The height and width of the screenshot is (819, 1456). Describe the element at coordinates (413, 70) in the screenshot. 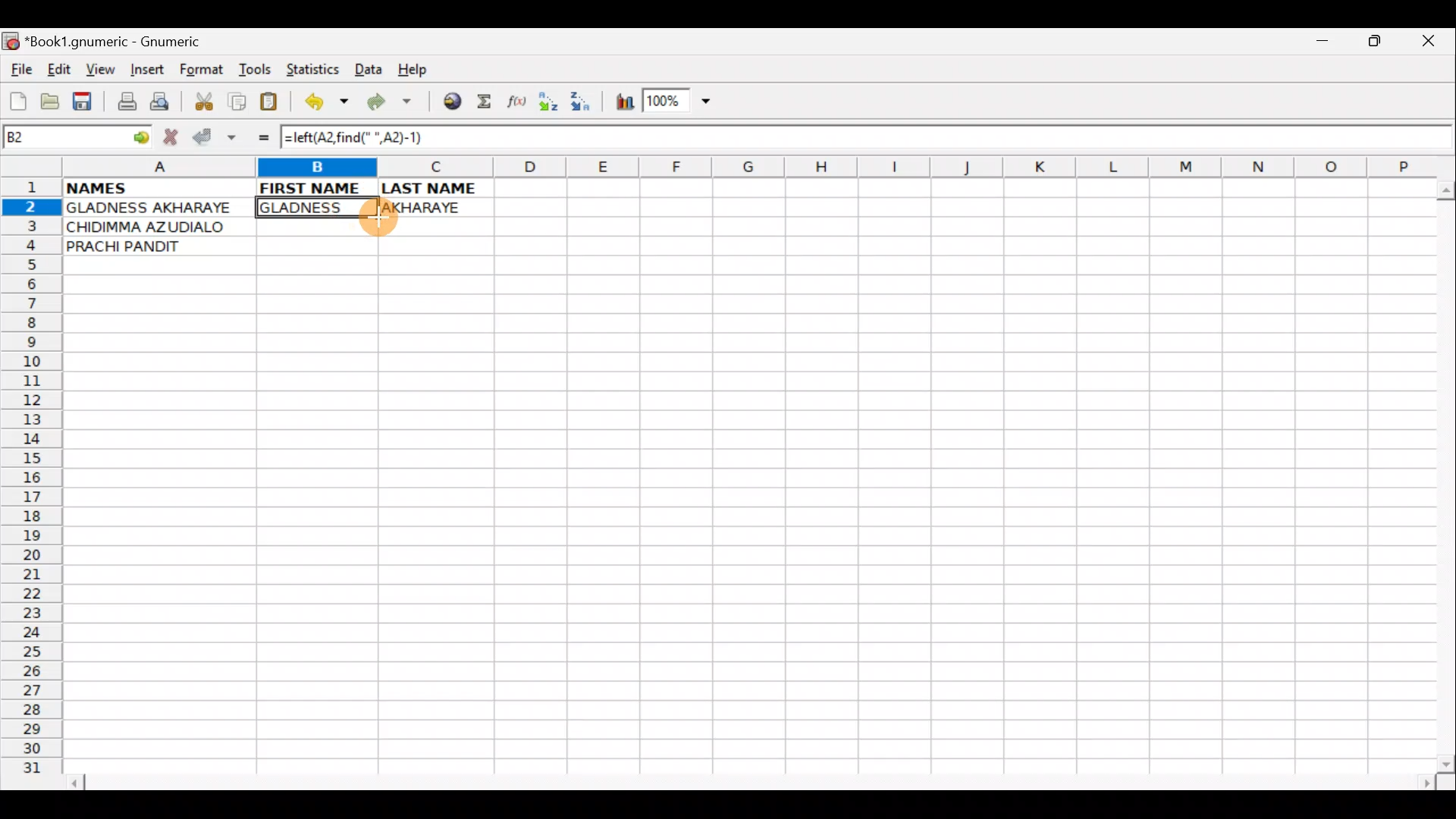

I see `Help` at that location.